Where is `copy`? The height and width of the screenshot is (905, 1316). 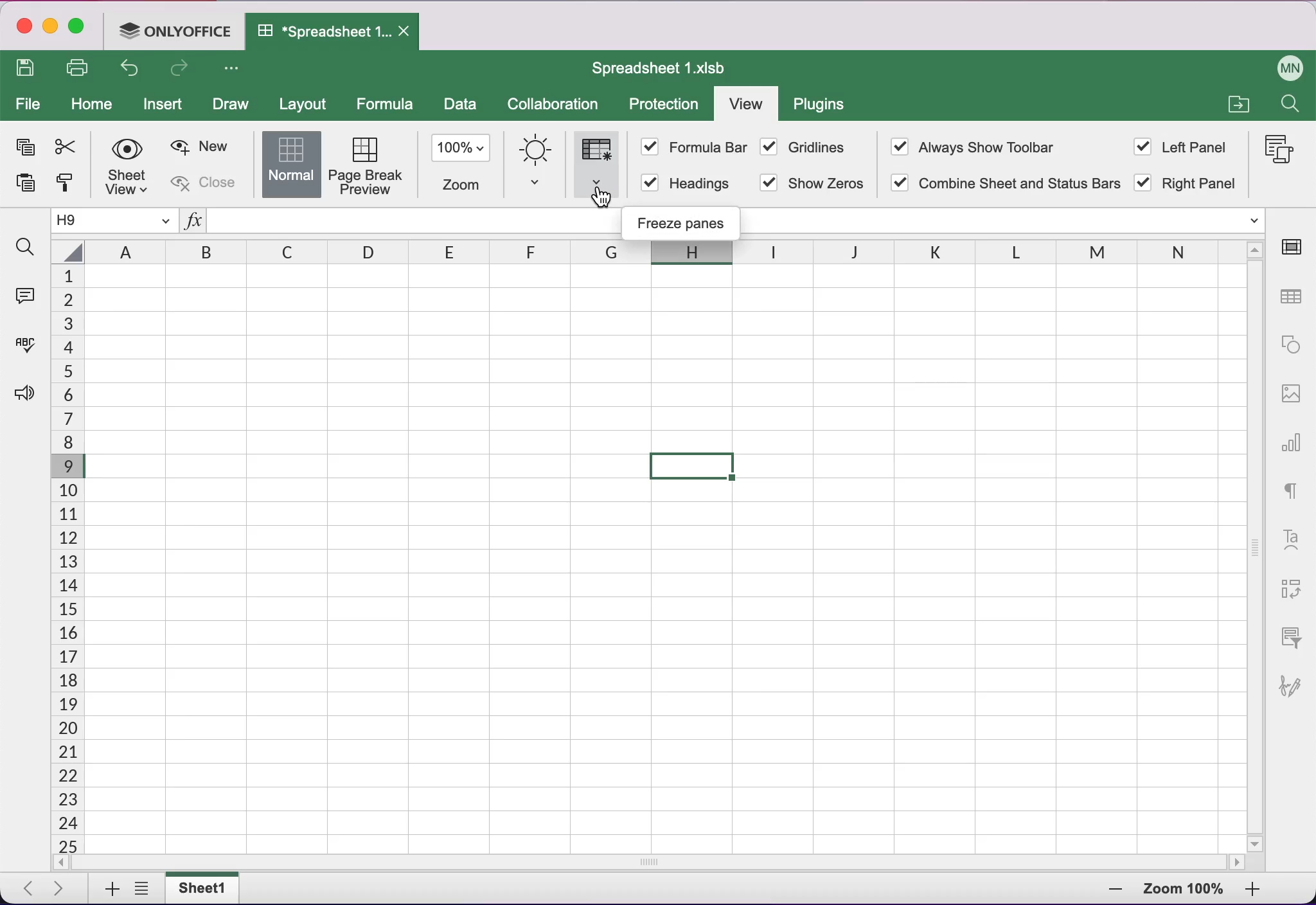
copy is located at coordinates (24, 144).